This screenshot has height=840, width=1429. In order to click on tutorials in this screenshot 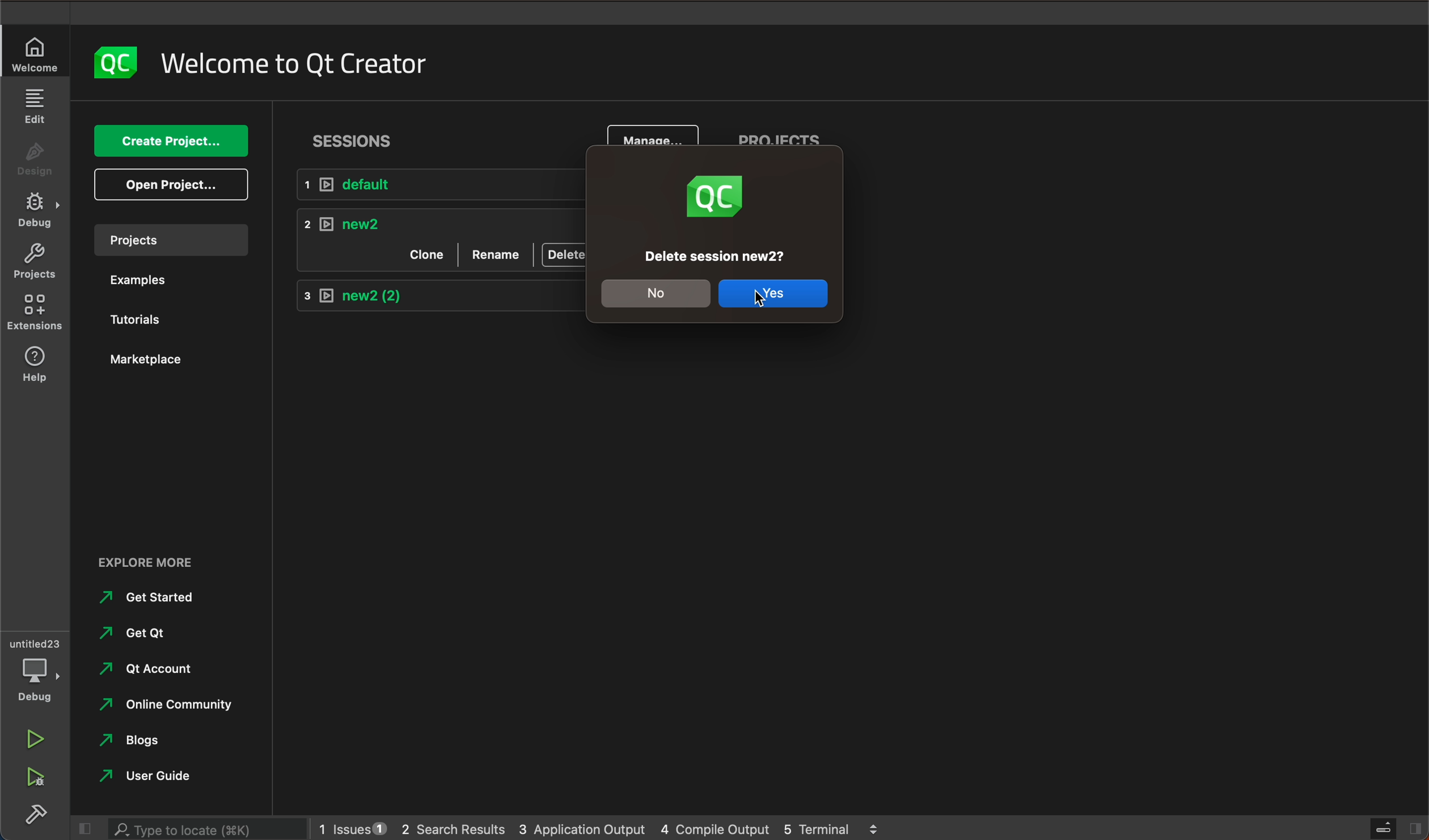, I will do `click(158, 320)`.